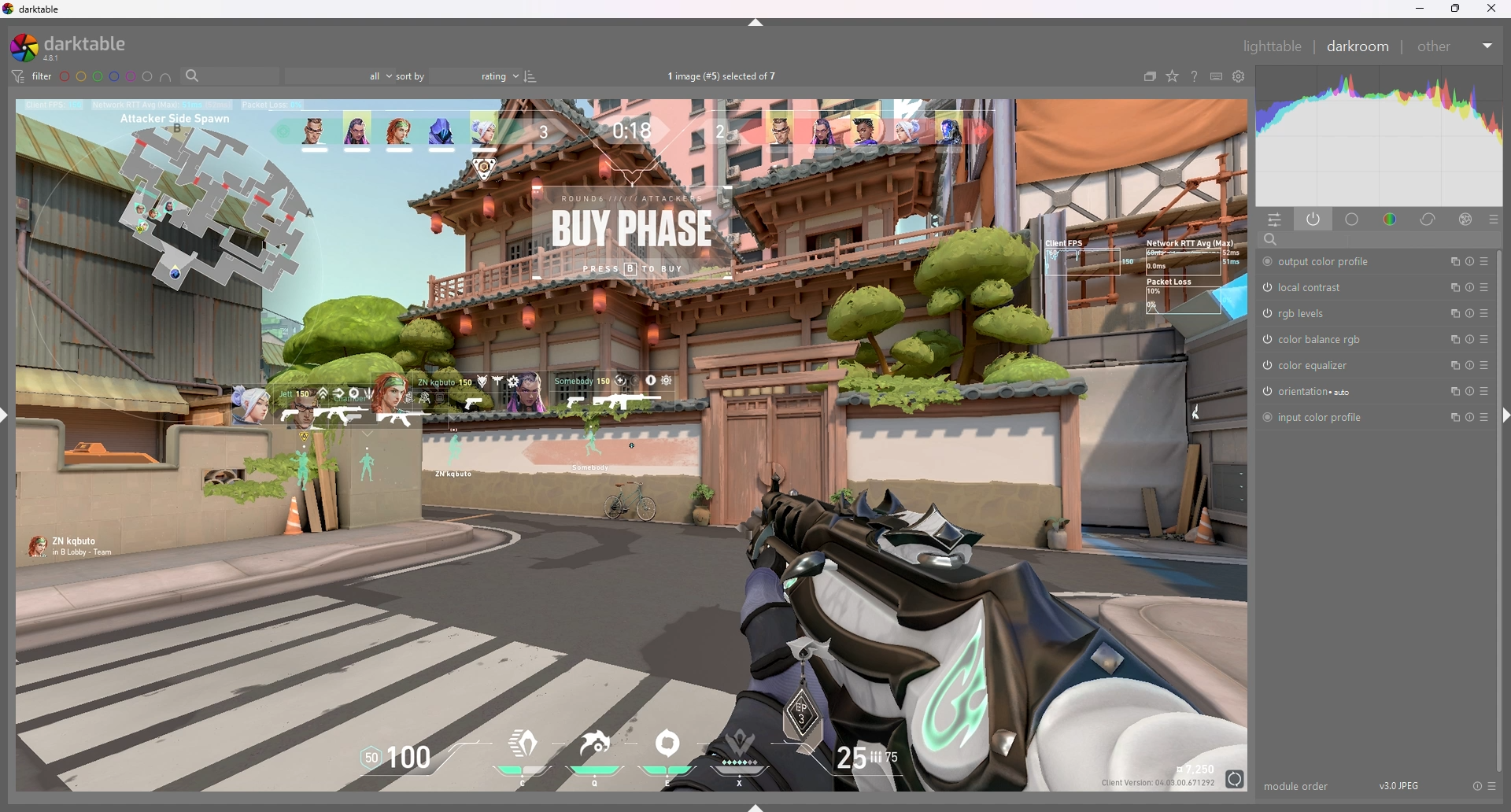 Image resolution: width=1511 pixels, height=812 pixels. What do you see at coordinates (1240, 76) in the screenshot?
I see `show global preferences` at bounding box center [1240, 76].